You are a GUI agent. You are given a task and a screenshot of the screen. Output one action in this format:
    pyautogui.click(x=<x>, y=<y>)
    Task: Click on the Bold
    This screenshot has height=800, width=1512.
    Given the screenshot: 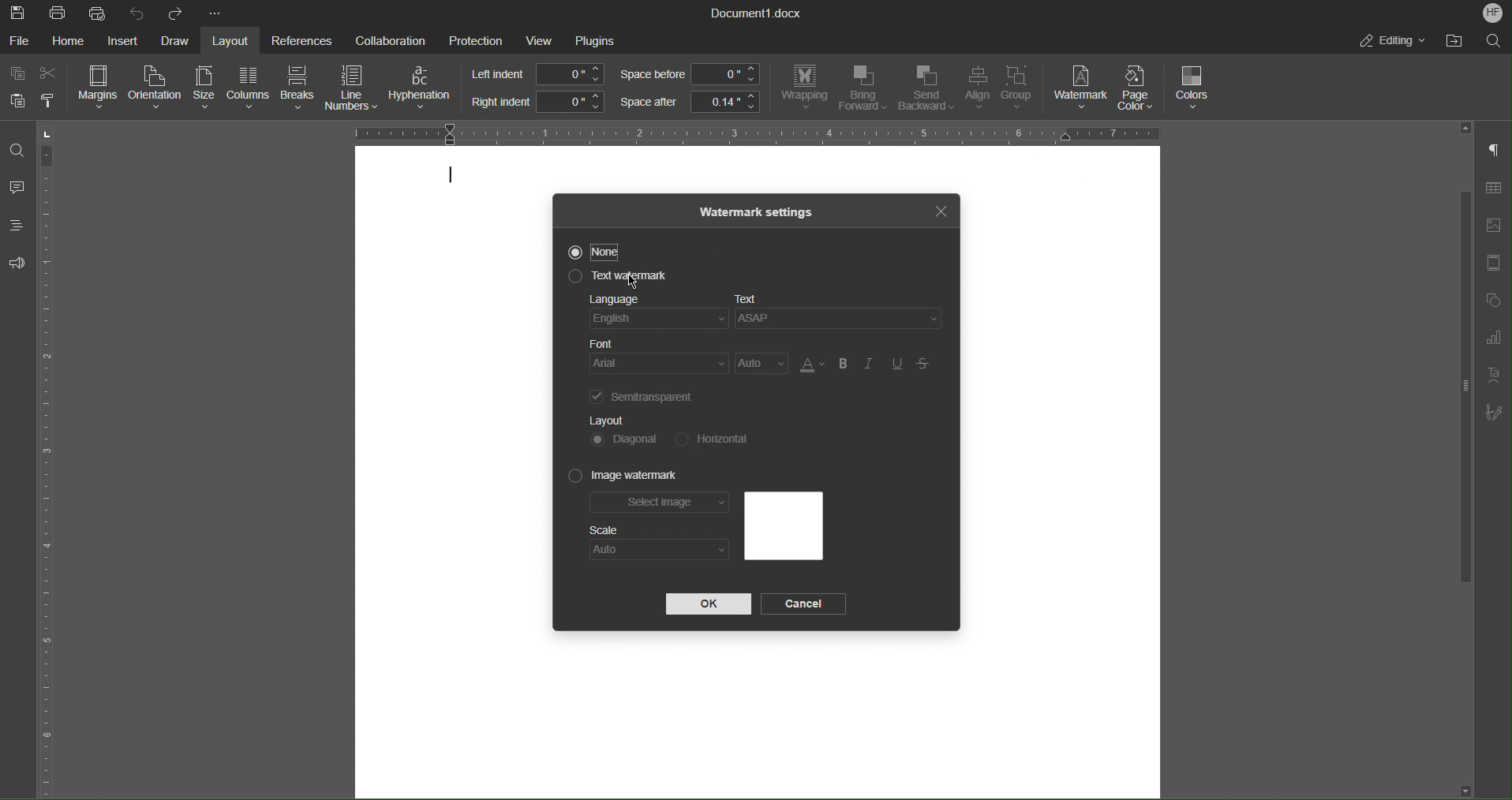 What is the action you would take?
    pyautogui.click(x=843, y=364)
    